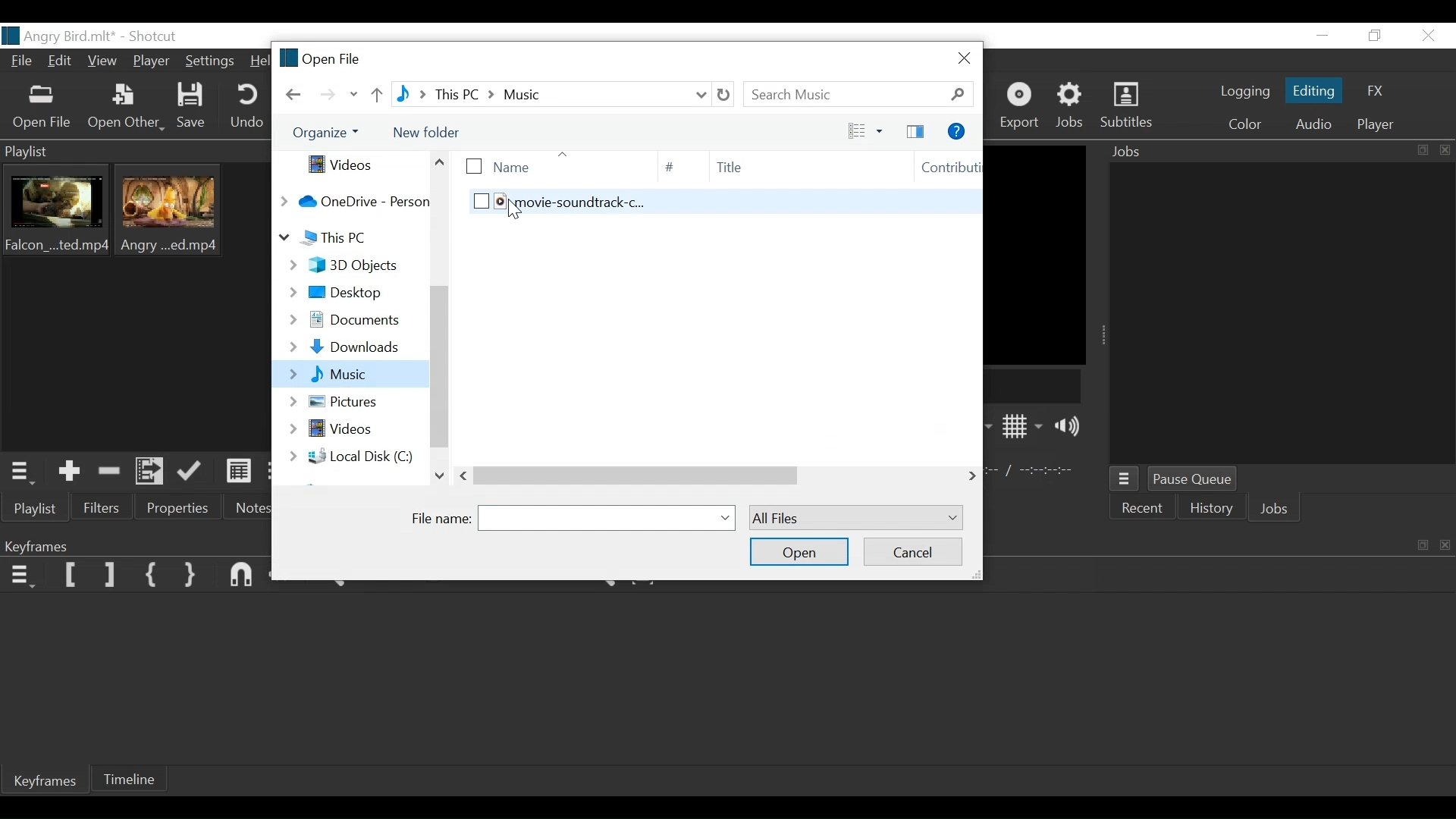 The height and width of the screenshot is (819, 1456). I want to click on Jobs , so click(1073, 106).